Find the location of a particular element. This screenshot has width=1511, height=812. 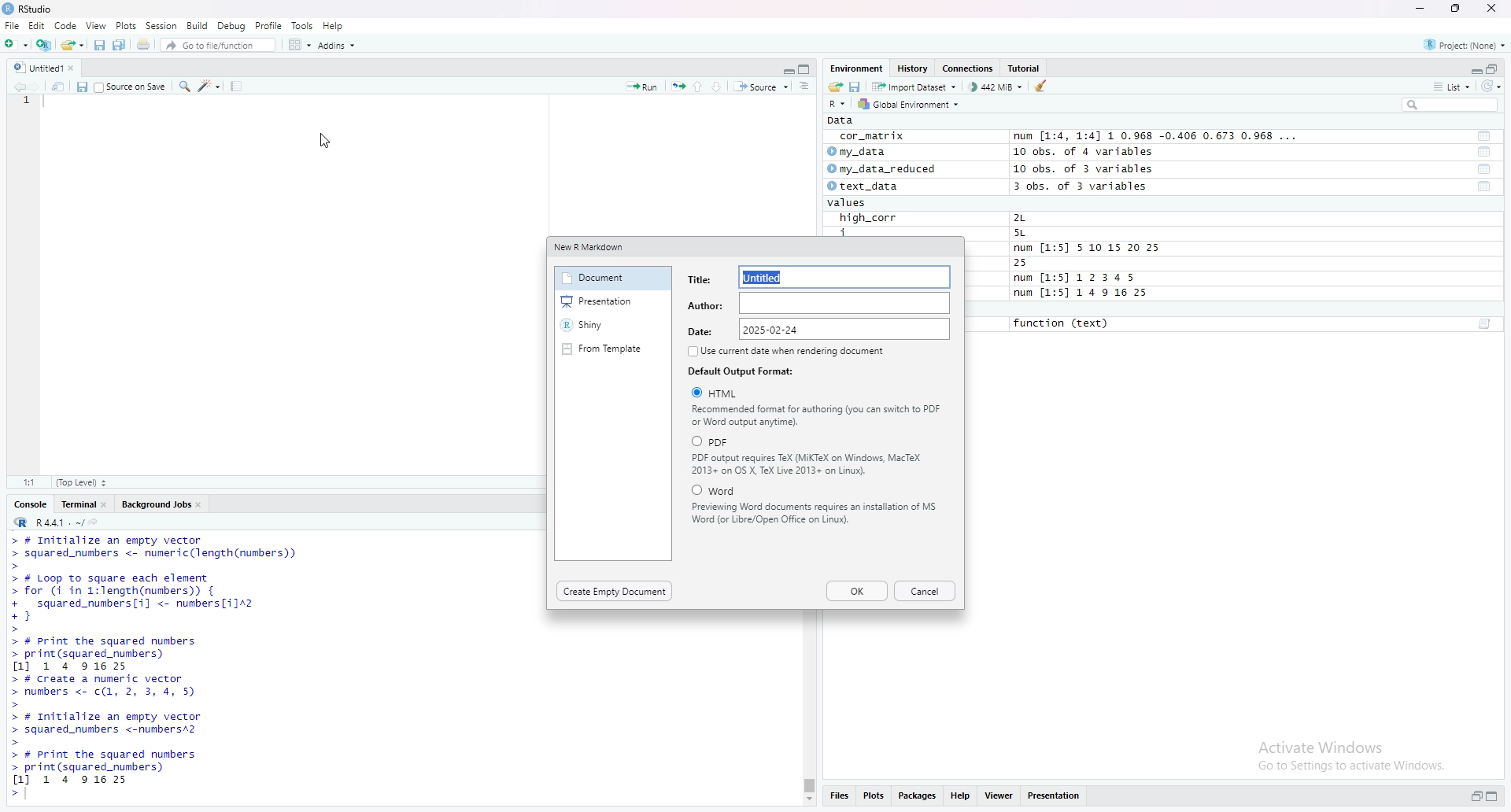

Recommended format for authoring (you can switch to PDF
or Word output anytime). is located at coordinates (820, 416).